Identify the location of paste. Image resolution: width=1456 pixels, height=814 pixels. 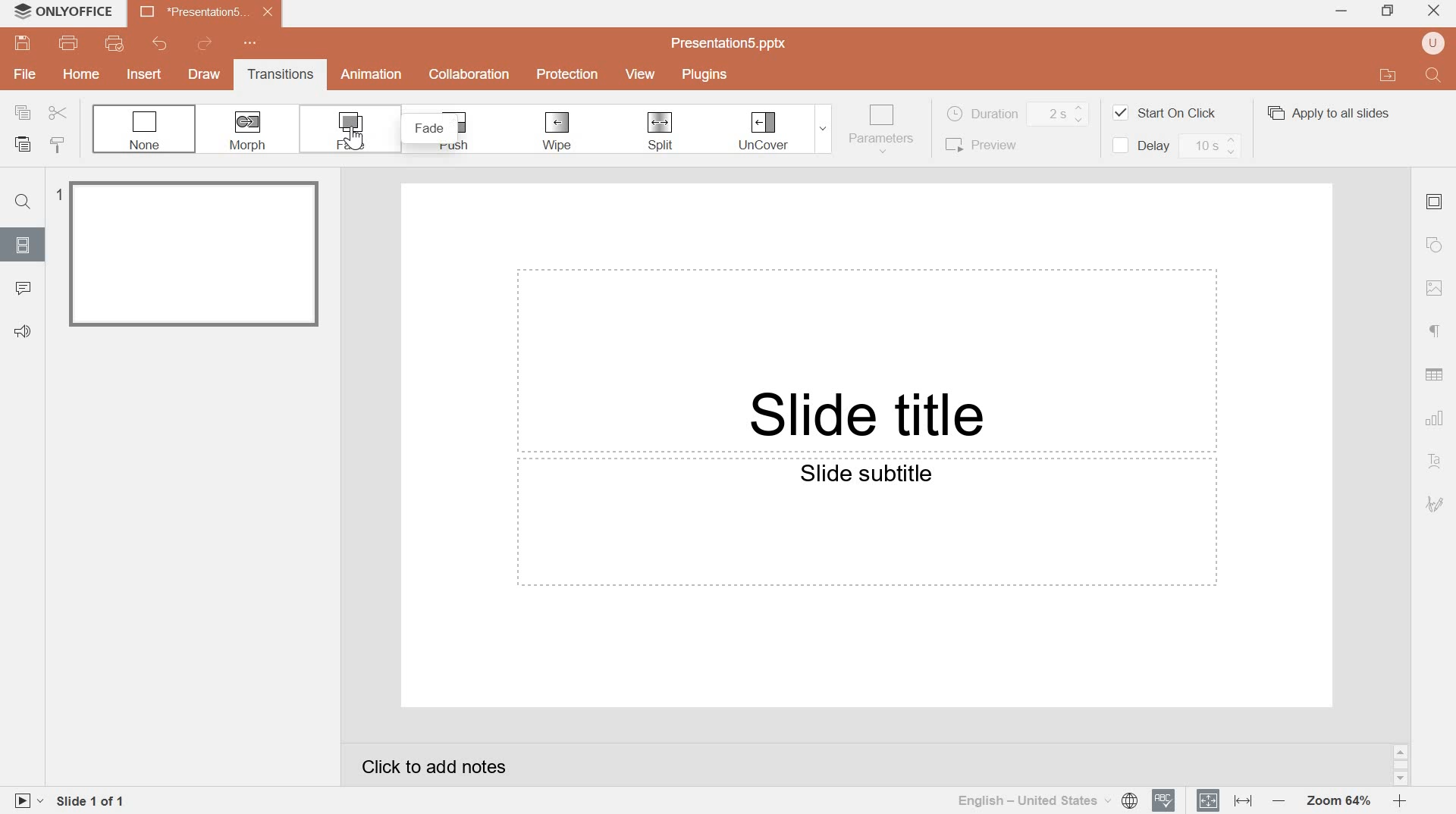
(23, 145).